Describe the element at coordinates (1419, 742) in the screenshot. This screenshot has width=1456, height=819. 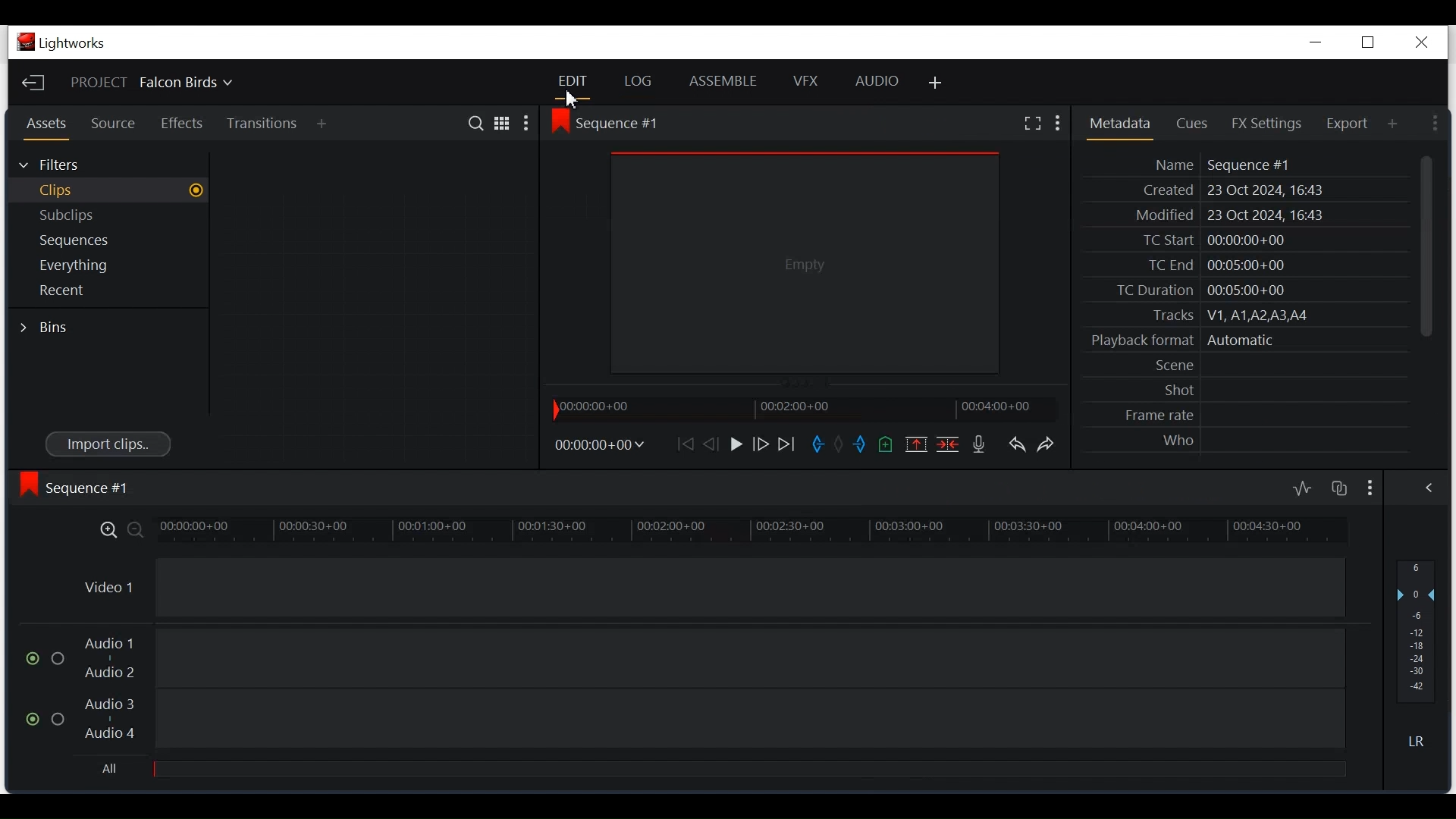
I see `Mute` at that location.